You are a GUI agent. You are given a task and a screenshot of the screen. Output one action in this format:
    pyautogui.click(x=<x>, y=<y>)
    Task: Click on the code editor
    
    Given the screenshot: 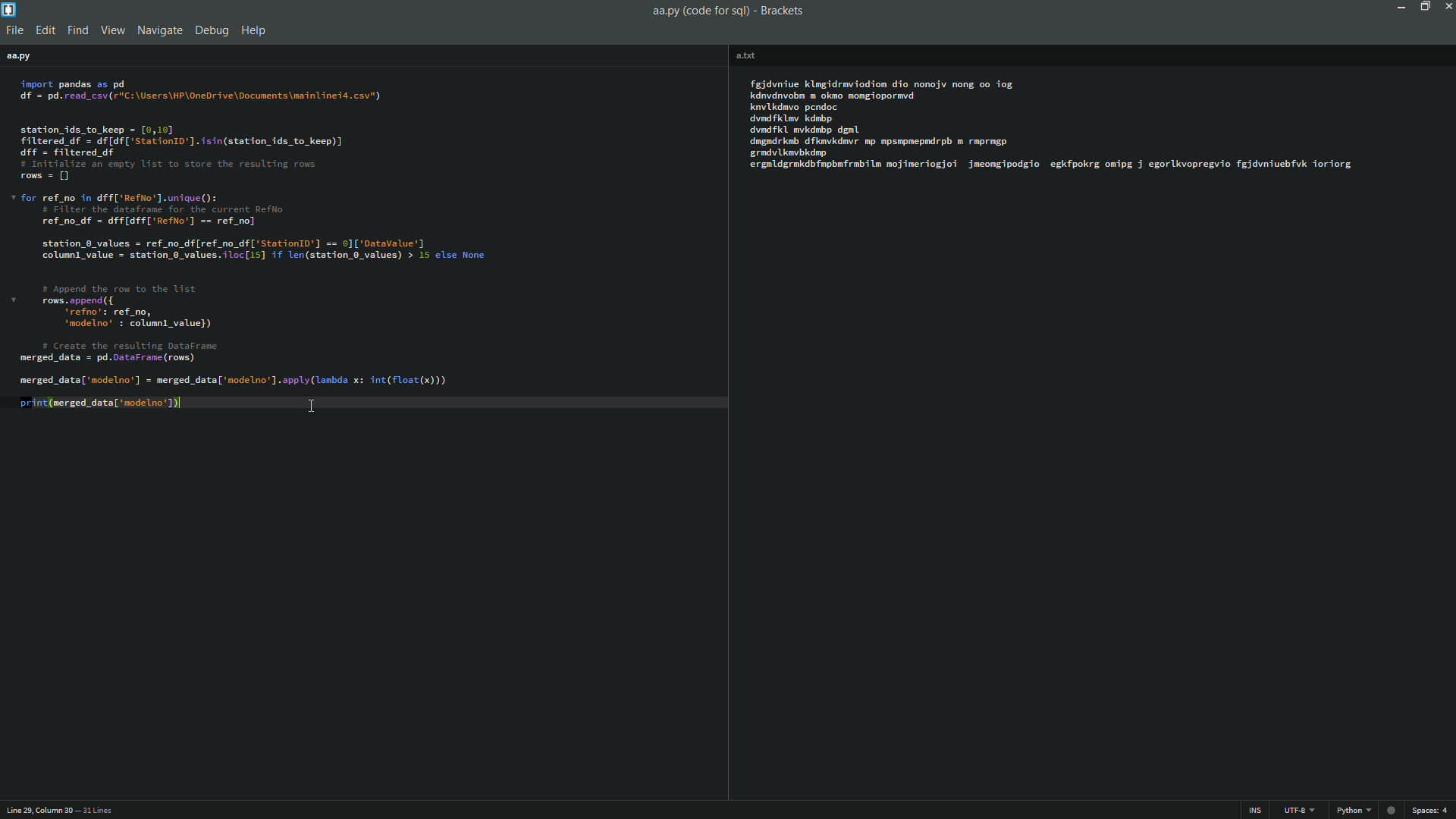 What is the action you would take?
    pyautogui.click(x=1059, y=126)
    